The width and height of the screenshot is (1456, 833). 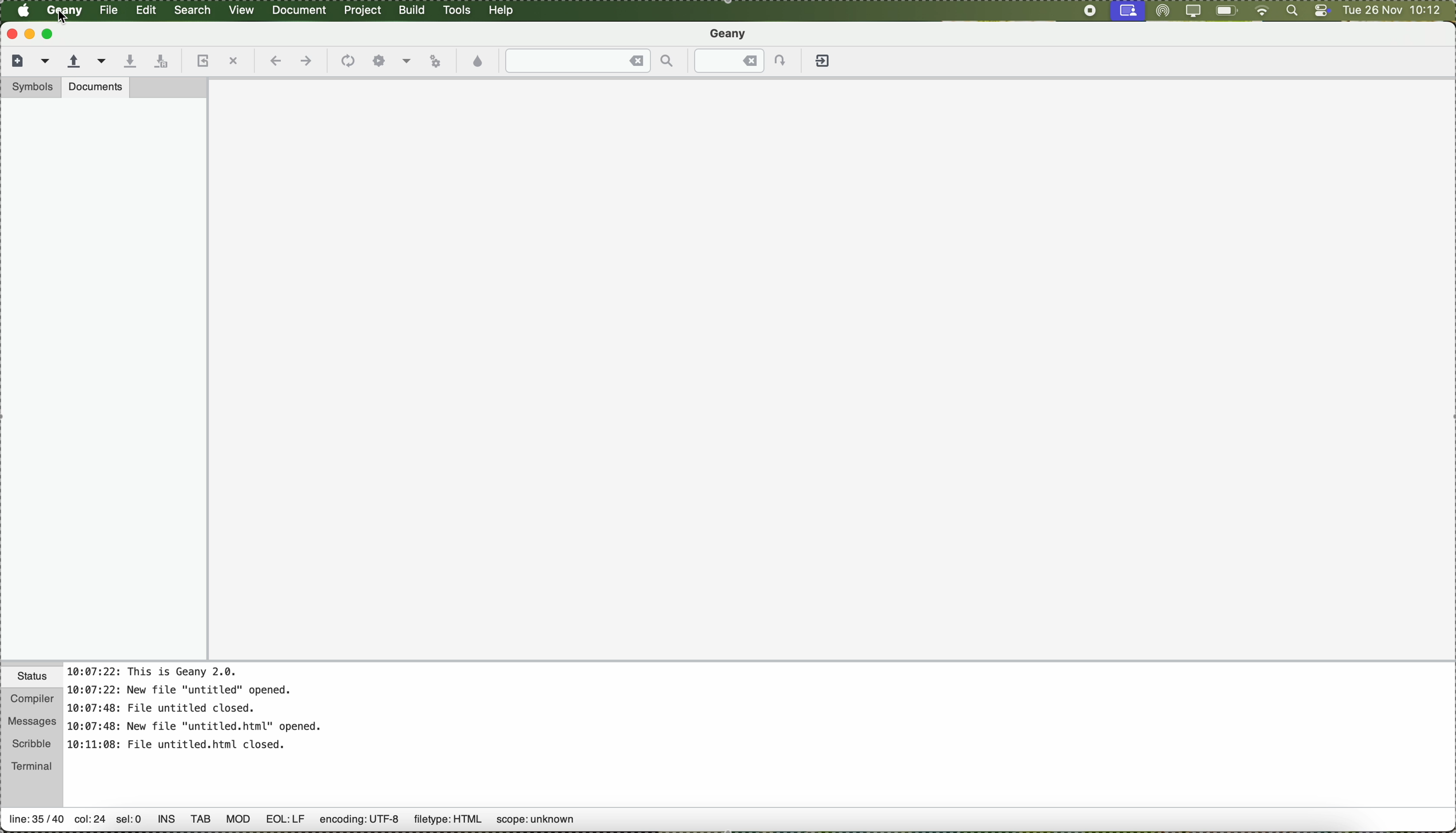 I want to click on INS, so click(x=166, y=821).